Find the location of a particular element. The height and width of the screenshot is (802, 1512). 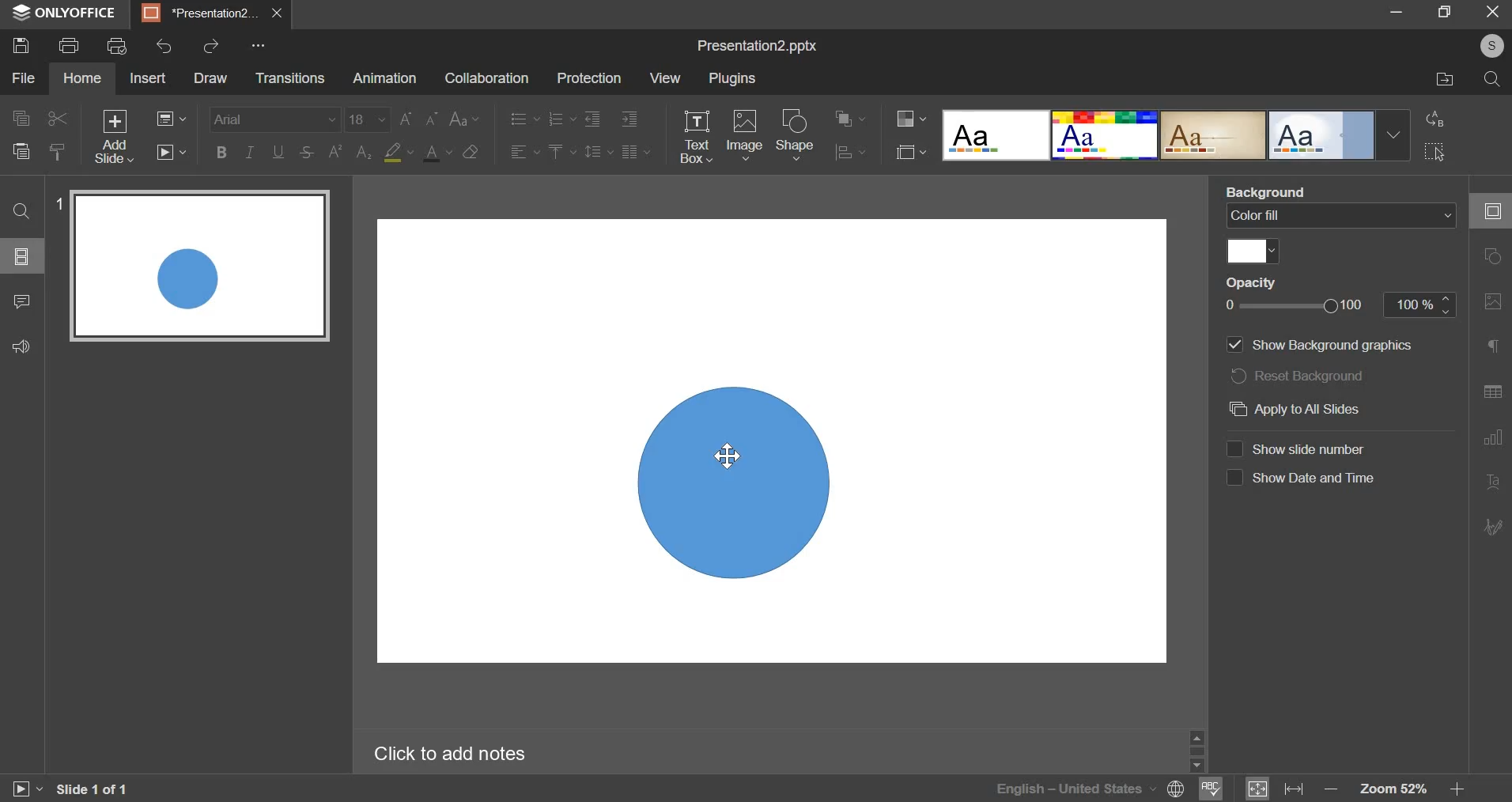

© is located at coordinates (1487, 47).